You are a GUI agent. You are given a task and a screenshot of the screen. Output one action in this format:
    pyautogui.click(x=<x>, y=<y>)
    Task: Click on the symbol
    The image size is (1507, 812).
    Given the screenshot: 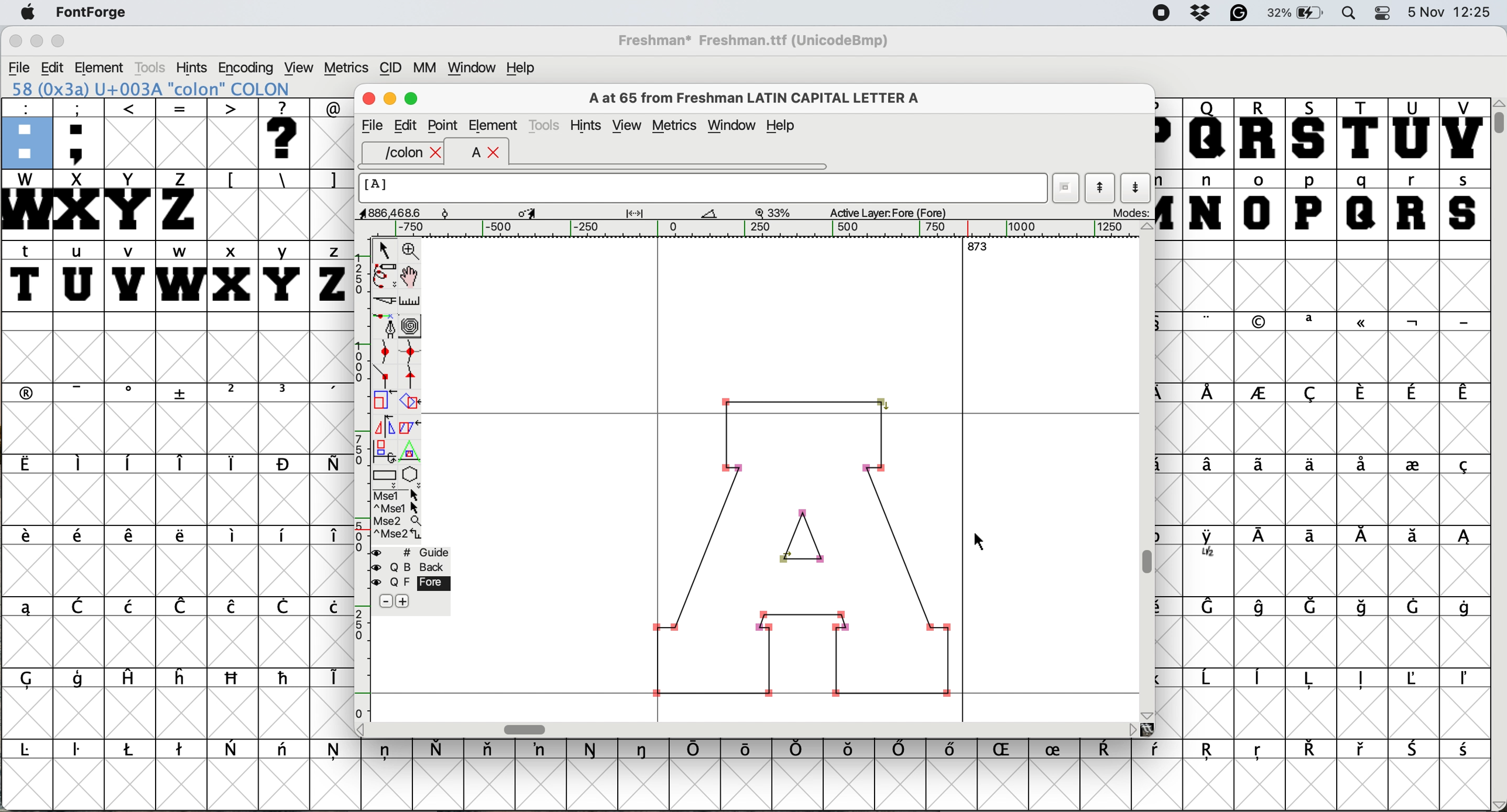 What is the action you would take?
    pyautogui.click(x=1463, y=539)
    